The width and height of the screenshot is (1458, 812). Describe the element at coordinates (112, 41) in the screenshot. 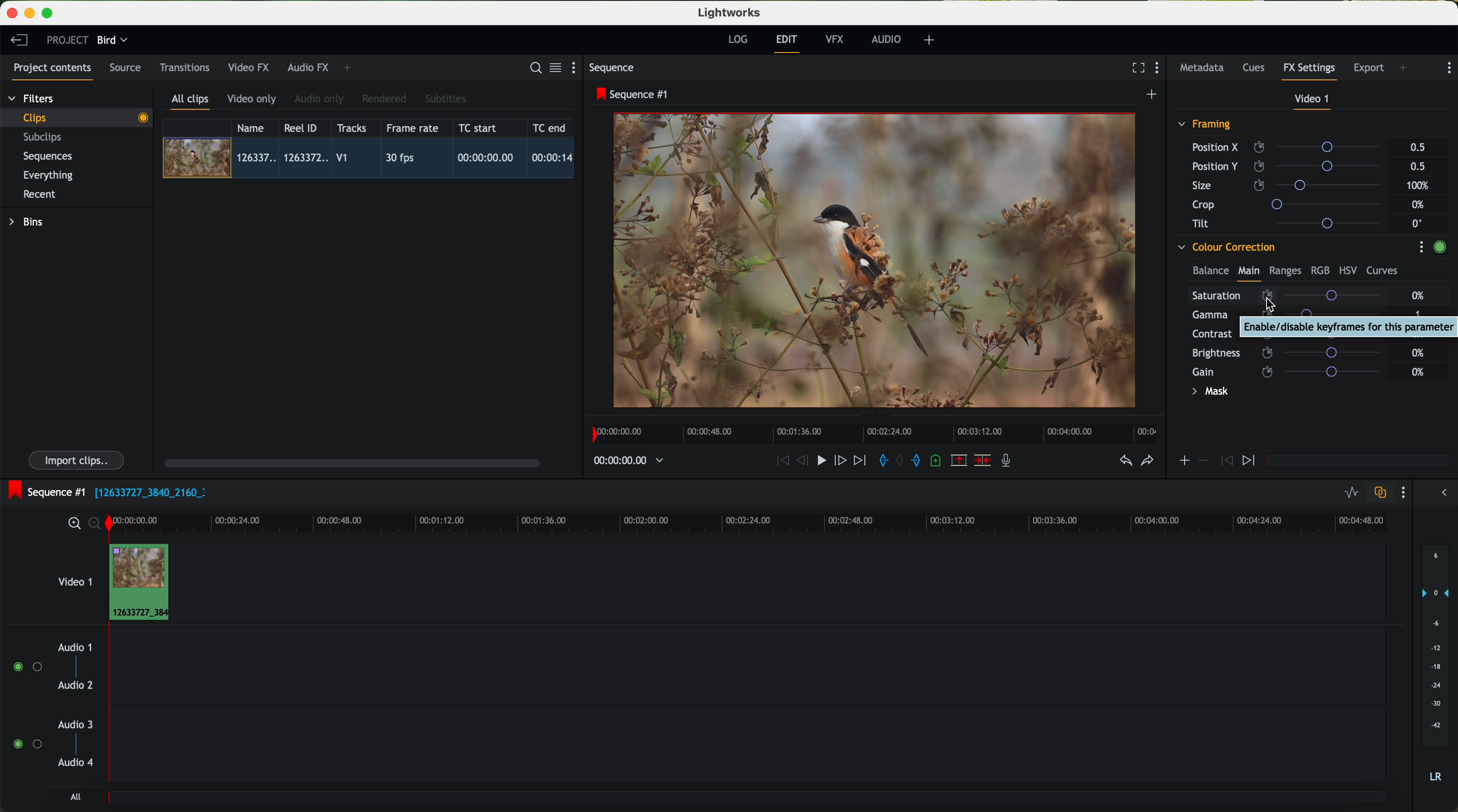

I see `bird` at that location.